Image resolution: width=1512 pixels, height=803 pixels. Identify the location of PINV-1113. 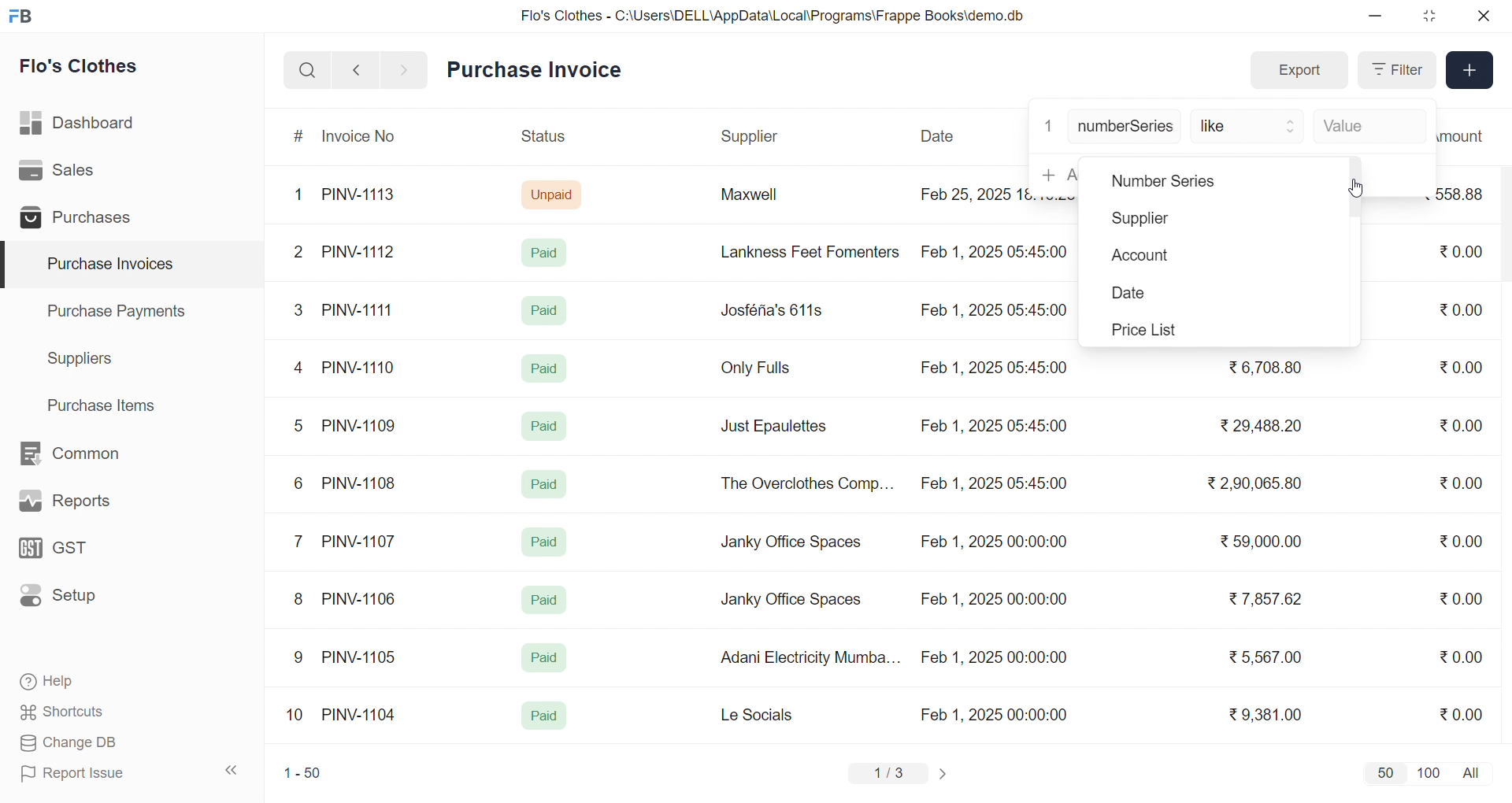
(365, 196).